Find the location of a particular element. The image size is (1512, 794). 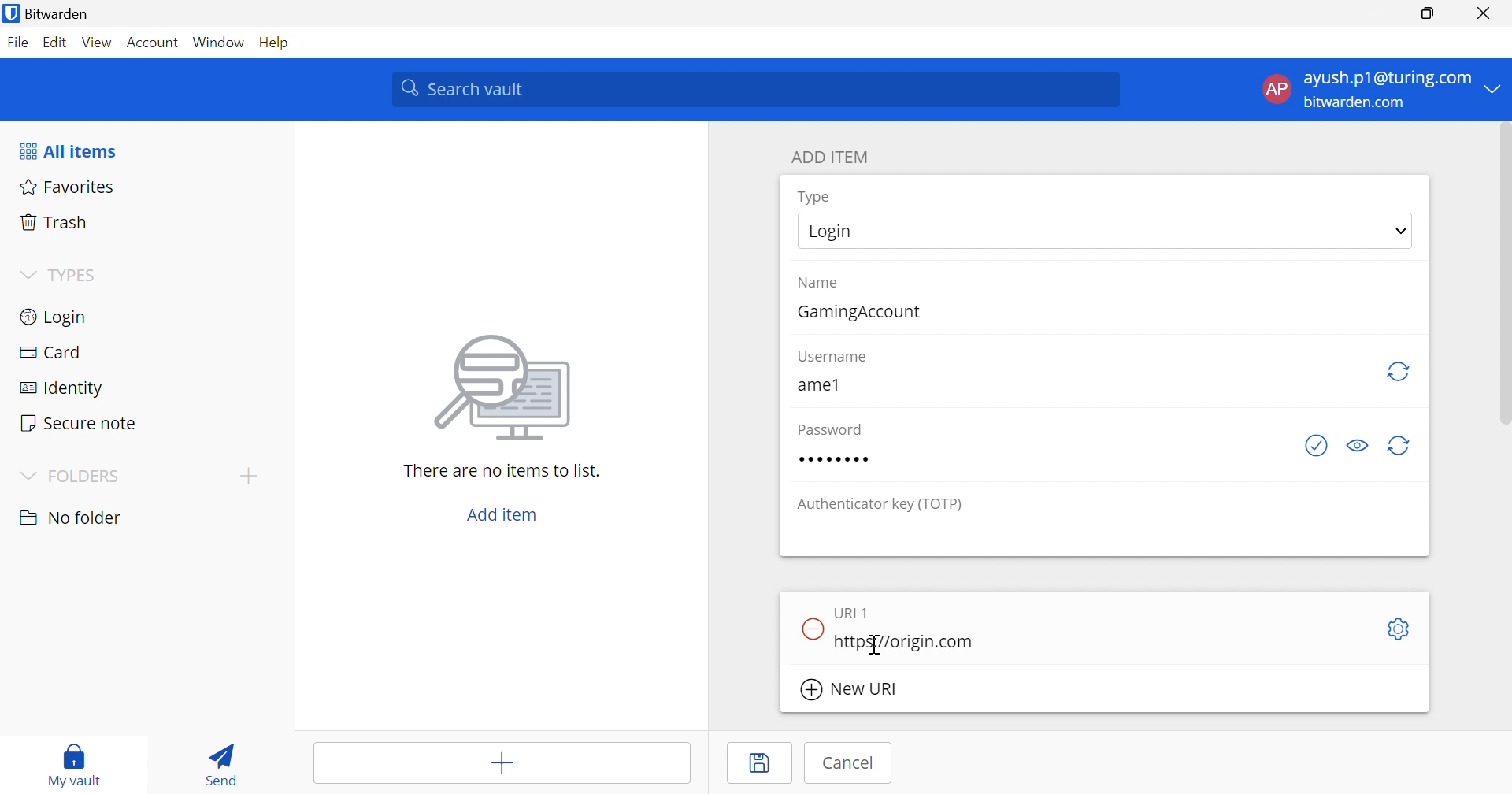

View is located at coordinates (100, 43).